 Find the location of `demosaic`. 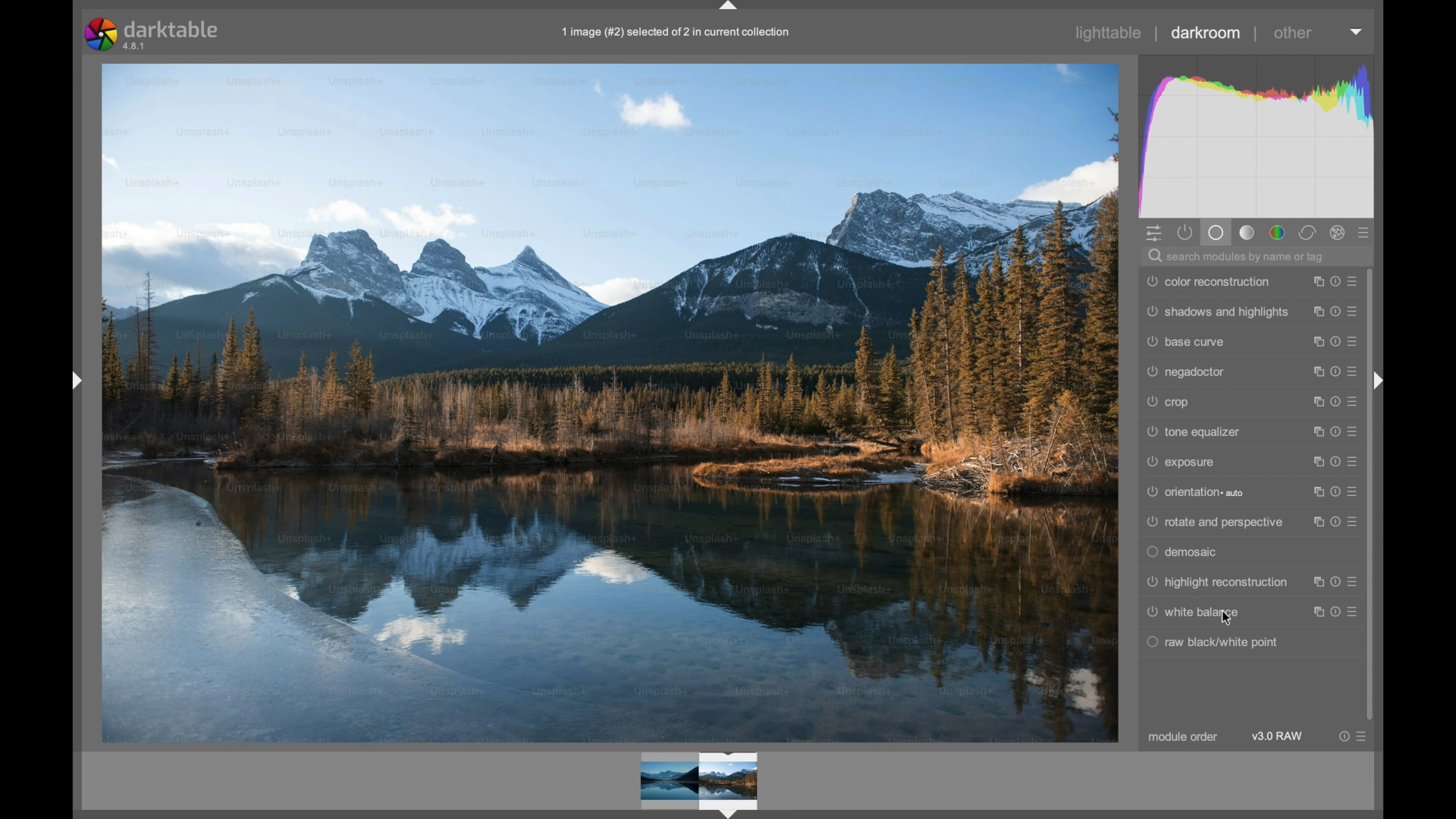

demosaic is located at coordinates (1183, 552).